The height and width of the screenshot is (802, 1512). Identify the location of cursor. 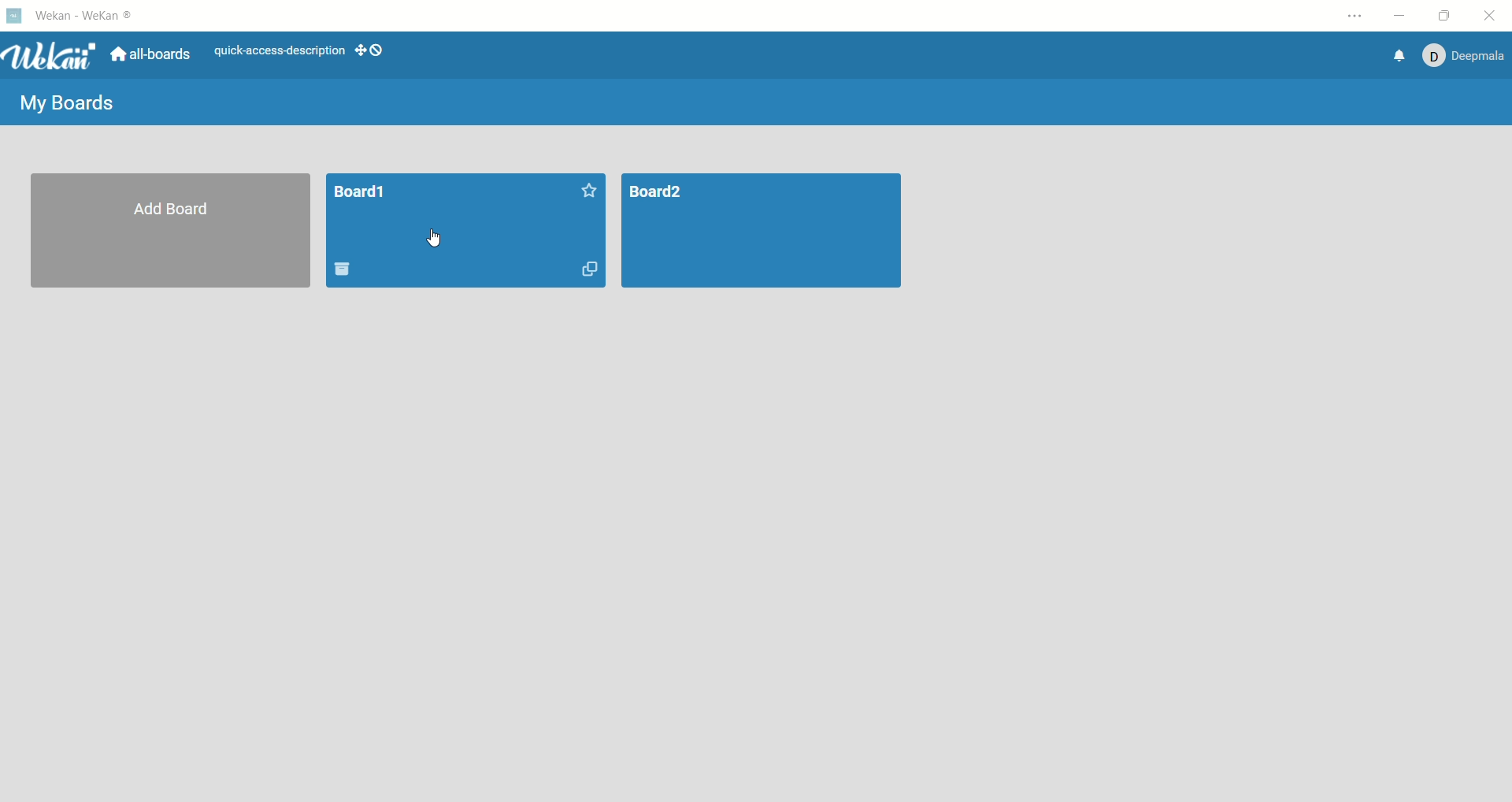
(438, 238).